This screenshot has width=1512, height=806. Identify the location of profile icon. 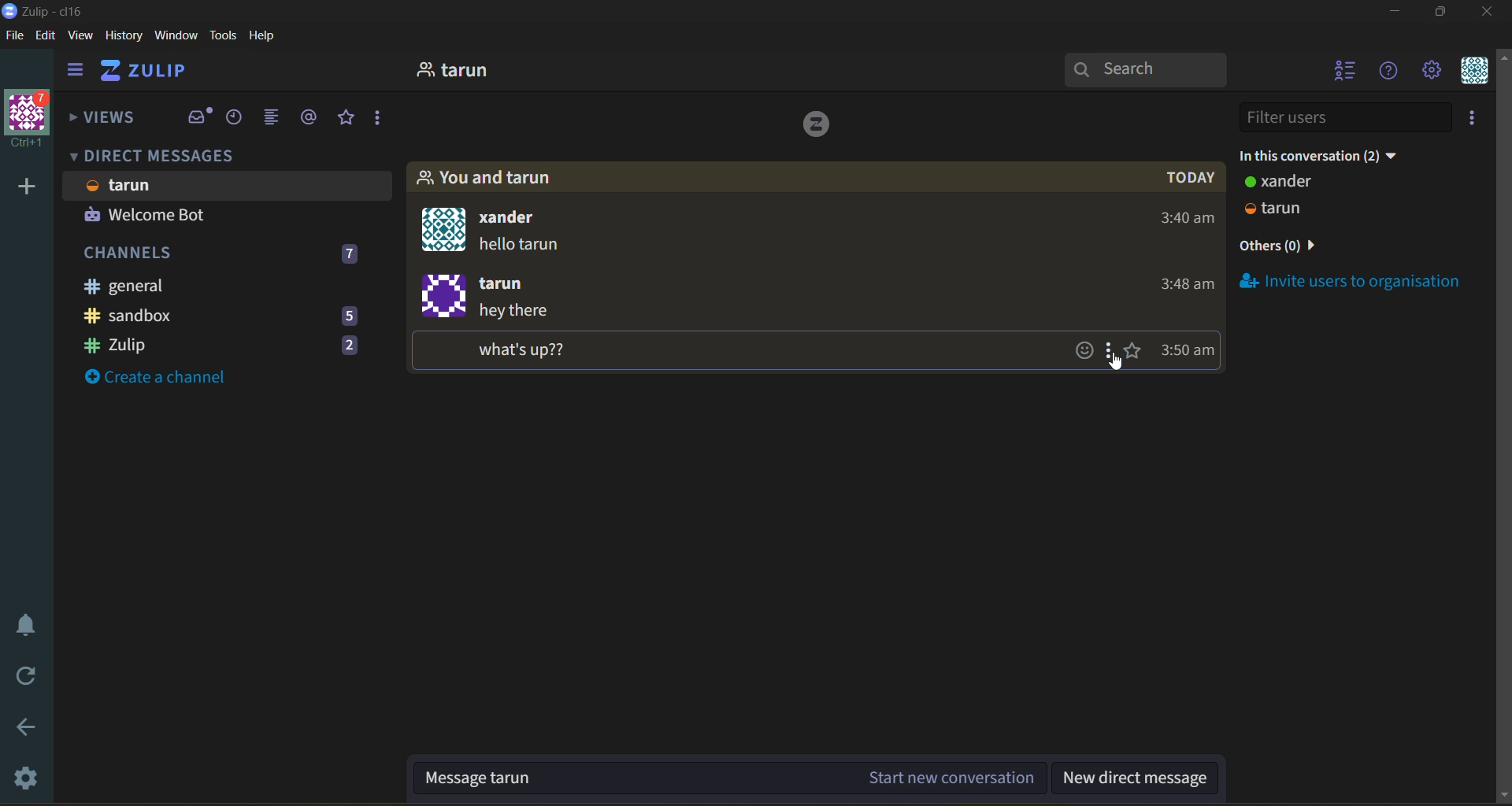
(444, 295).